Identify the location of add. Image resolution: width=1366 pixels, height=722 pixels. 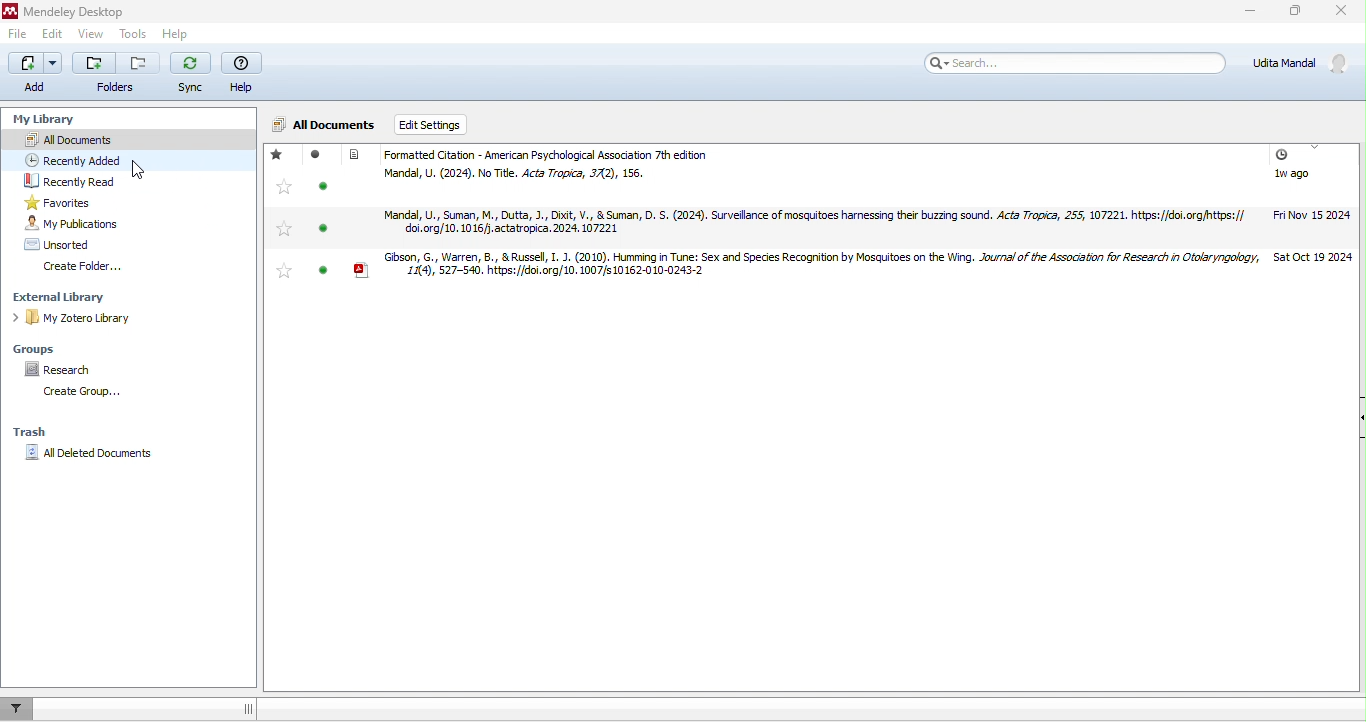
(35, 74).